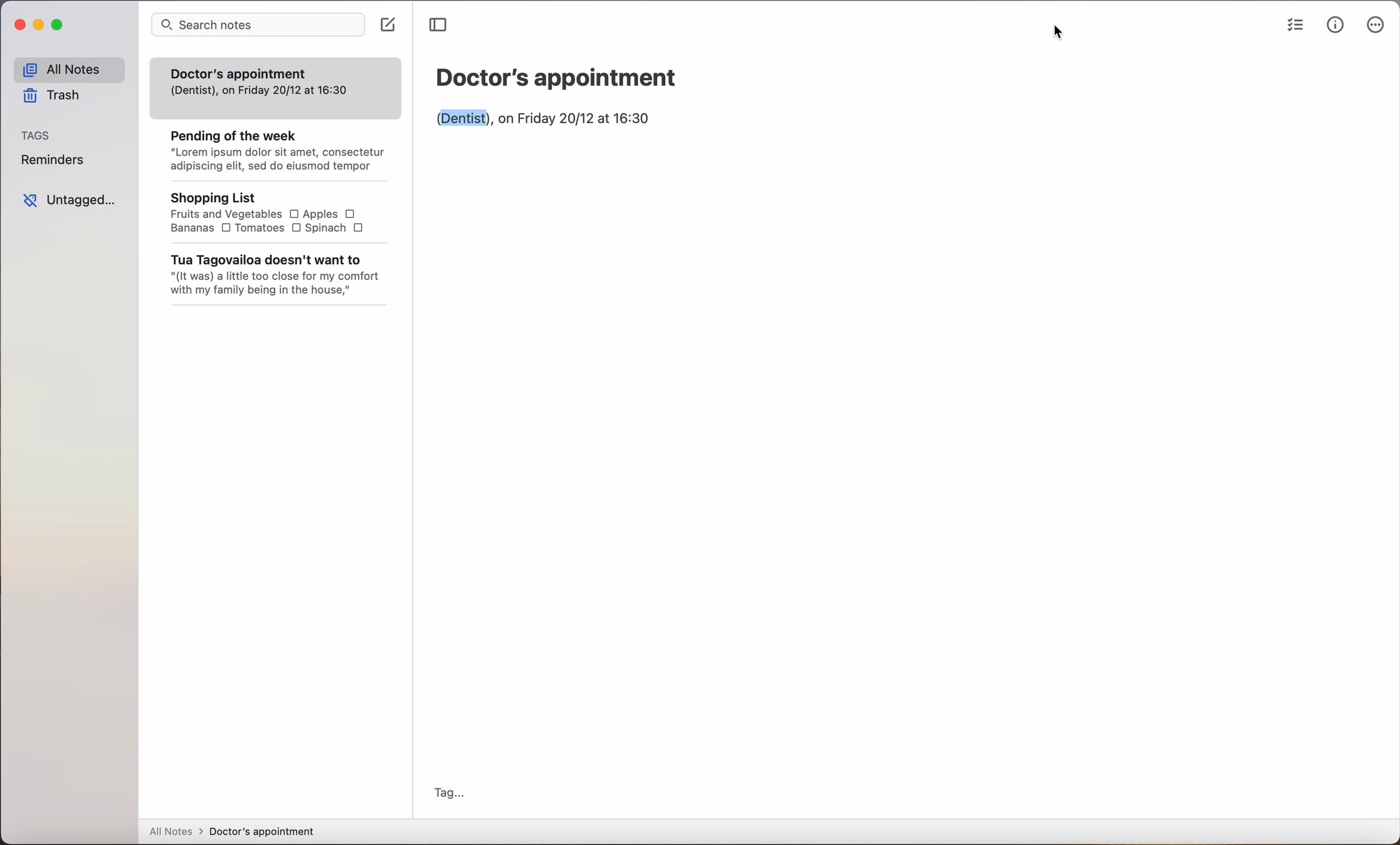 This screenshot has width=1400, height=845. I want to click on metrics, so click(1335, 26).